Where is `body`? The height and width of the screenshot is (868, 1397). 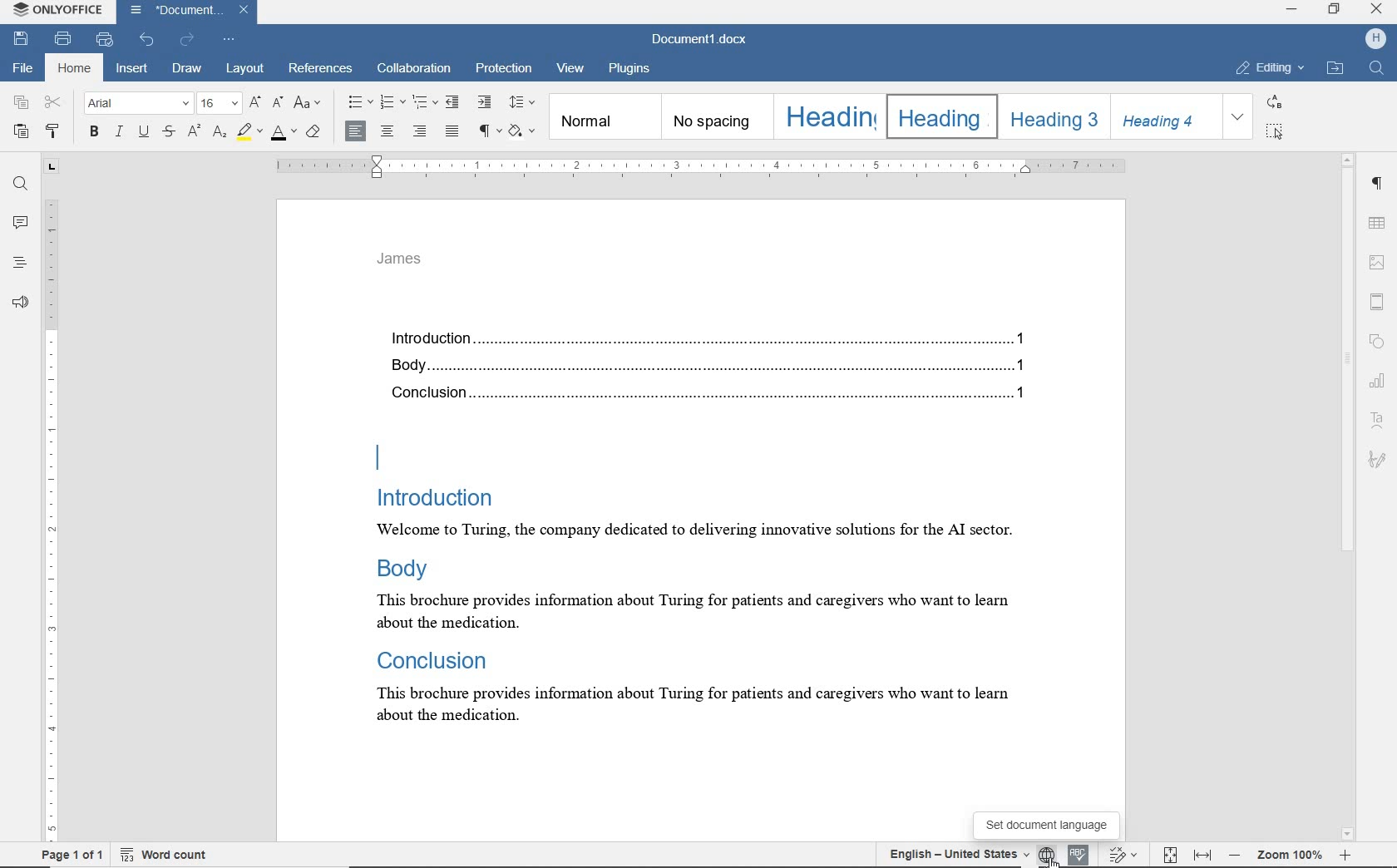
body is located at coordinates (409, 567).